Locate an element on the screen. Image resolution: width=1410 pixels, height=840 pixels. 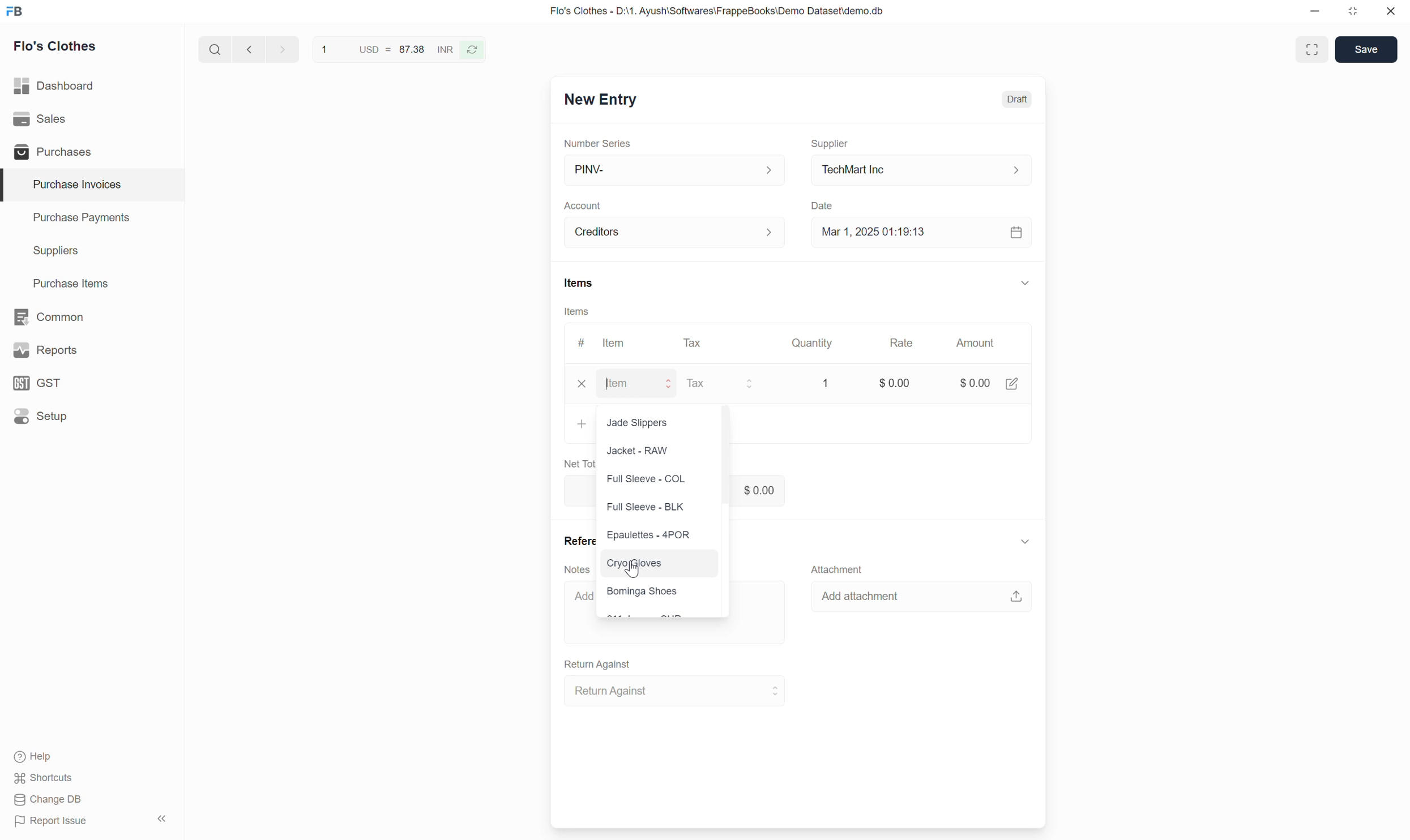
Change DB is located at coordinates (48, 800).